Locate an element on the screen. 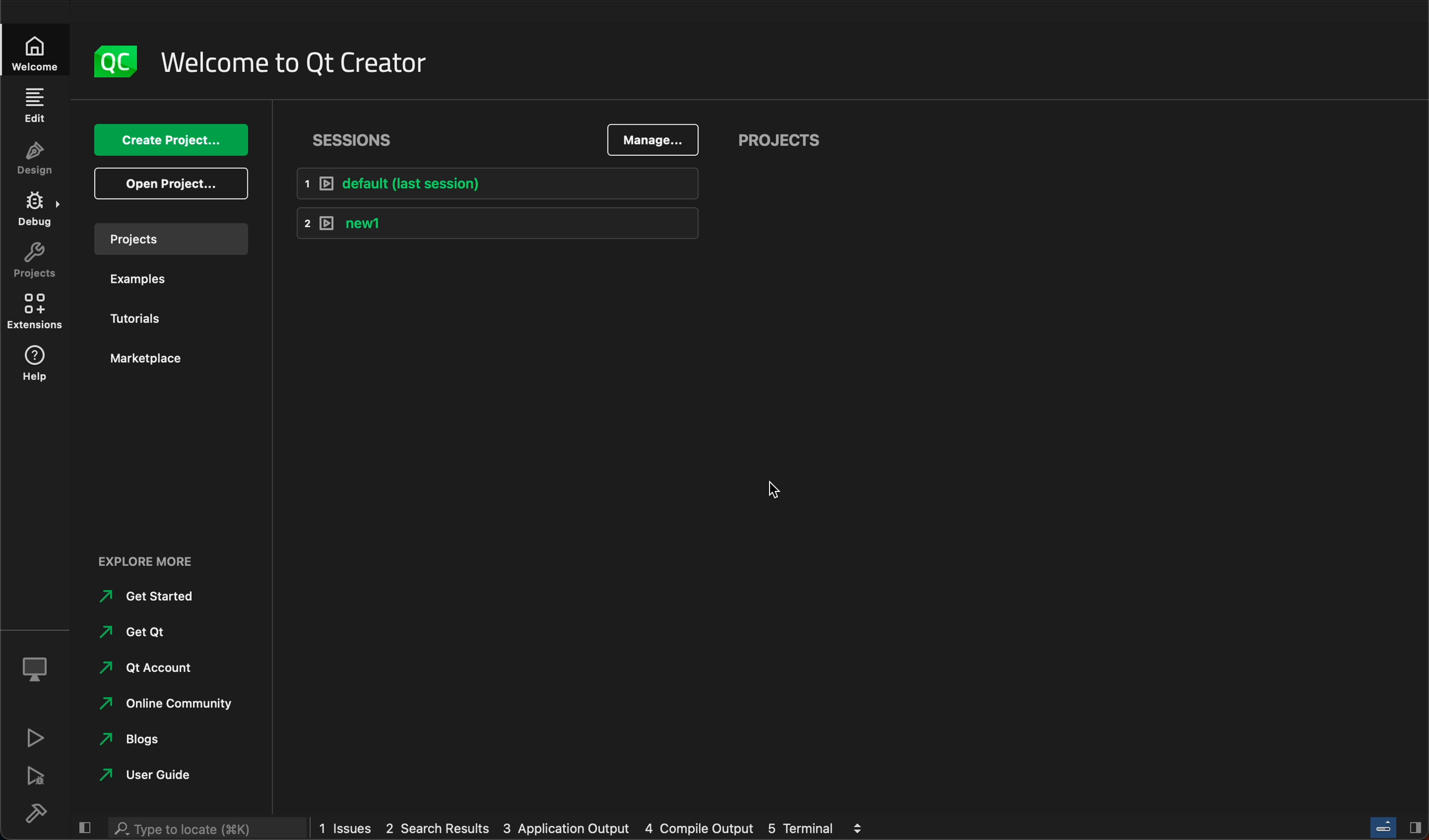 Image resolution: width=1429 pixels, height=840 pixels. run is located at coordinates (38, 736).